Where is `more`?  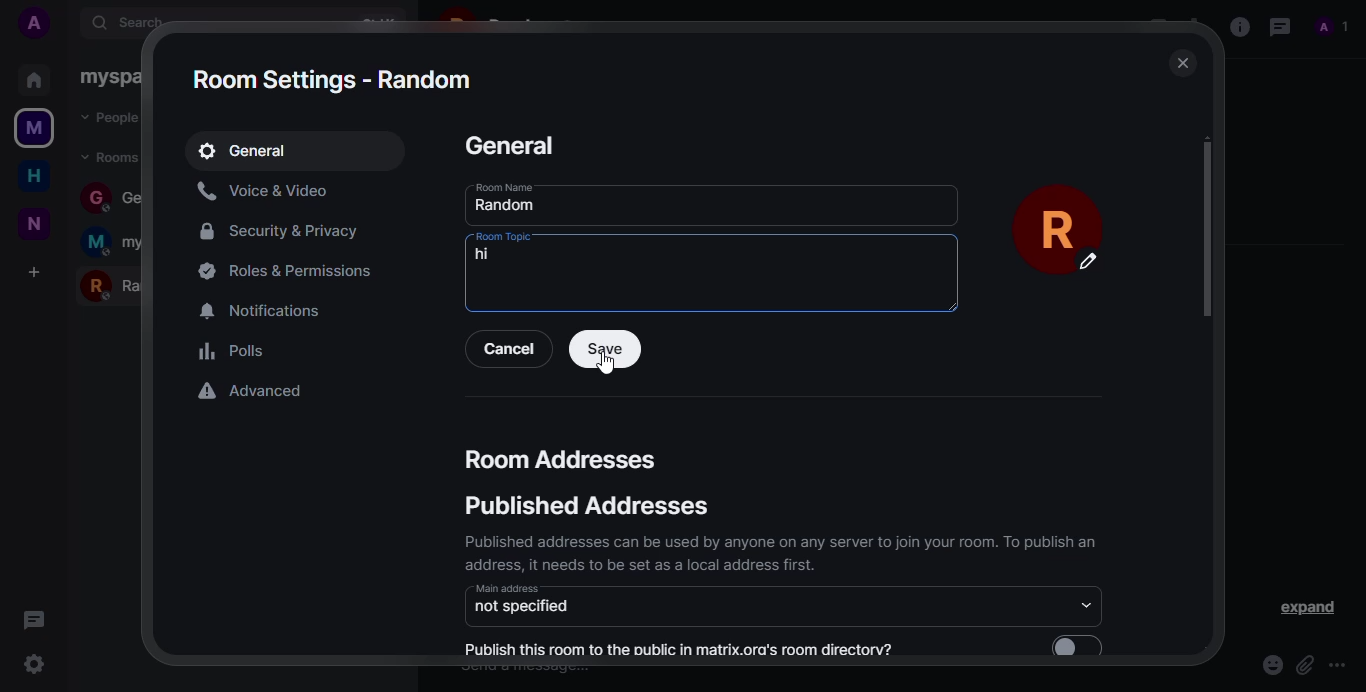 more is located at coordinates (1337, 666).